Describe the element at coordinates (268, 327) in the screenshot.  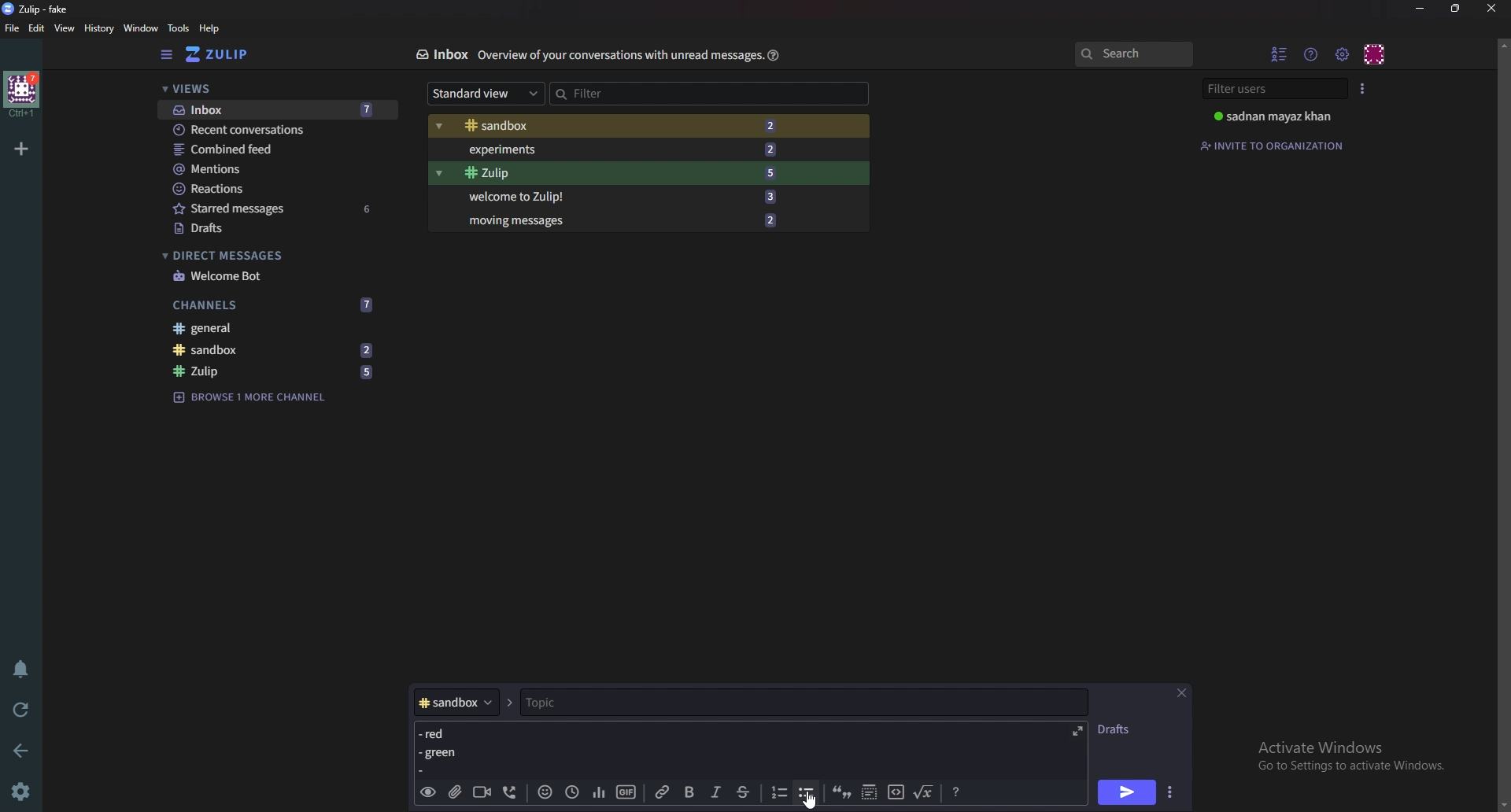
I see `General` at that location.